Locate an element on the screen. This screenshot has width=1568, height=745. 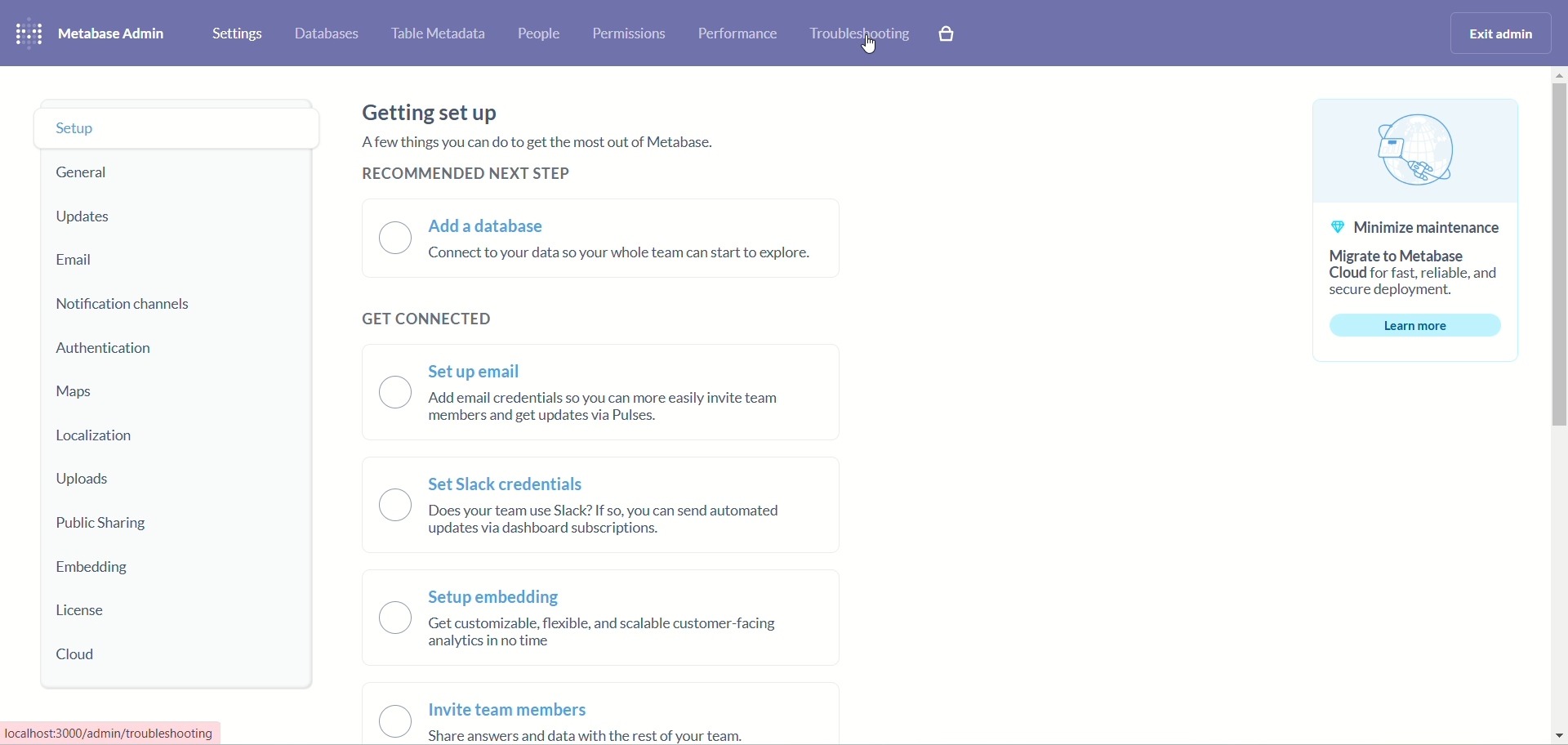
database is located at coordinates (327, 34).